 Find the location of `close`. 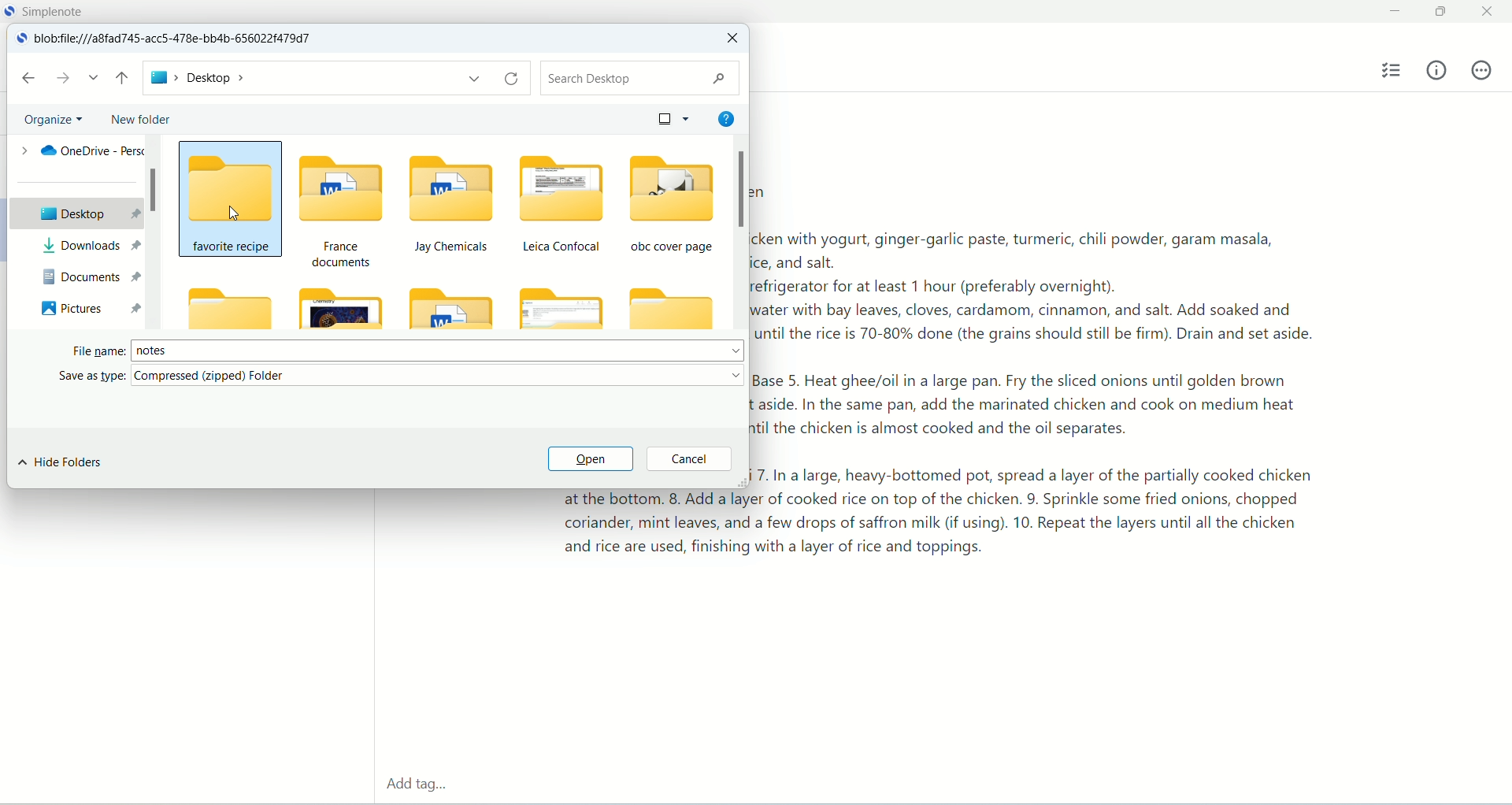

close is located at coordinates (1490, 9).